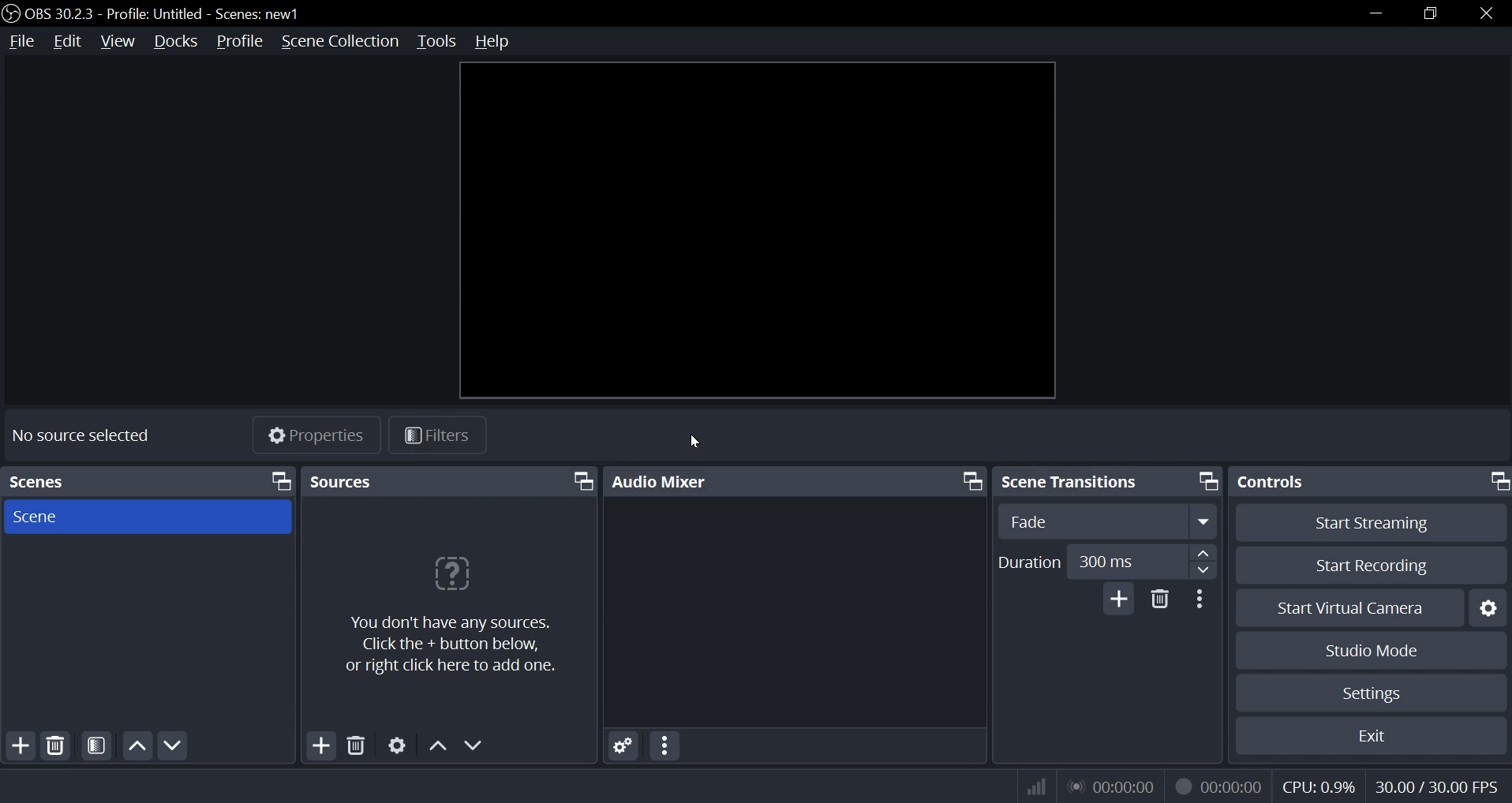  Describe the element at coordinates (137, 745) in the screenshot. I see `move up scene` at that location.